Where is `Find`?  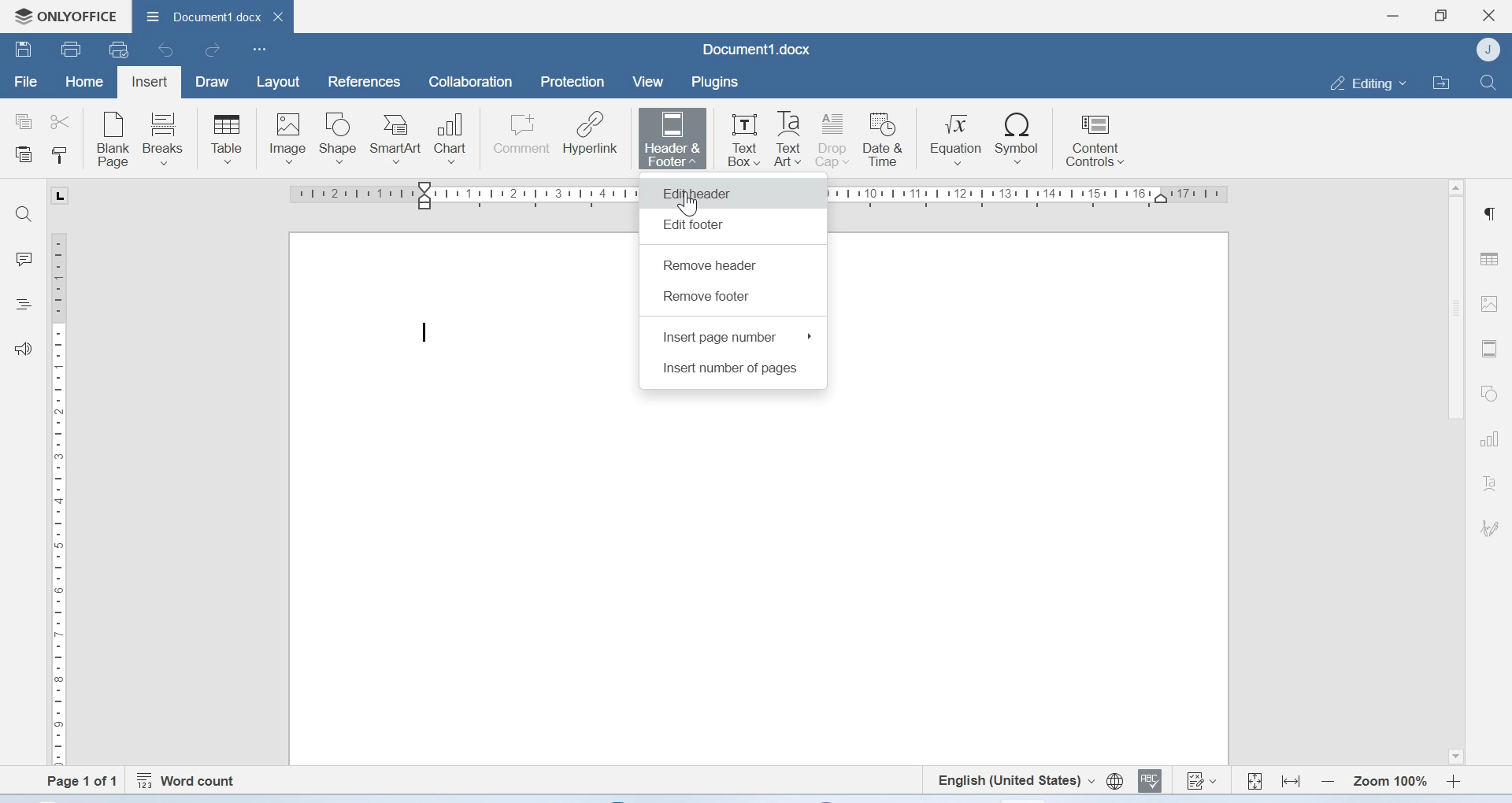 Find is located at coordinates (1488, 82).